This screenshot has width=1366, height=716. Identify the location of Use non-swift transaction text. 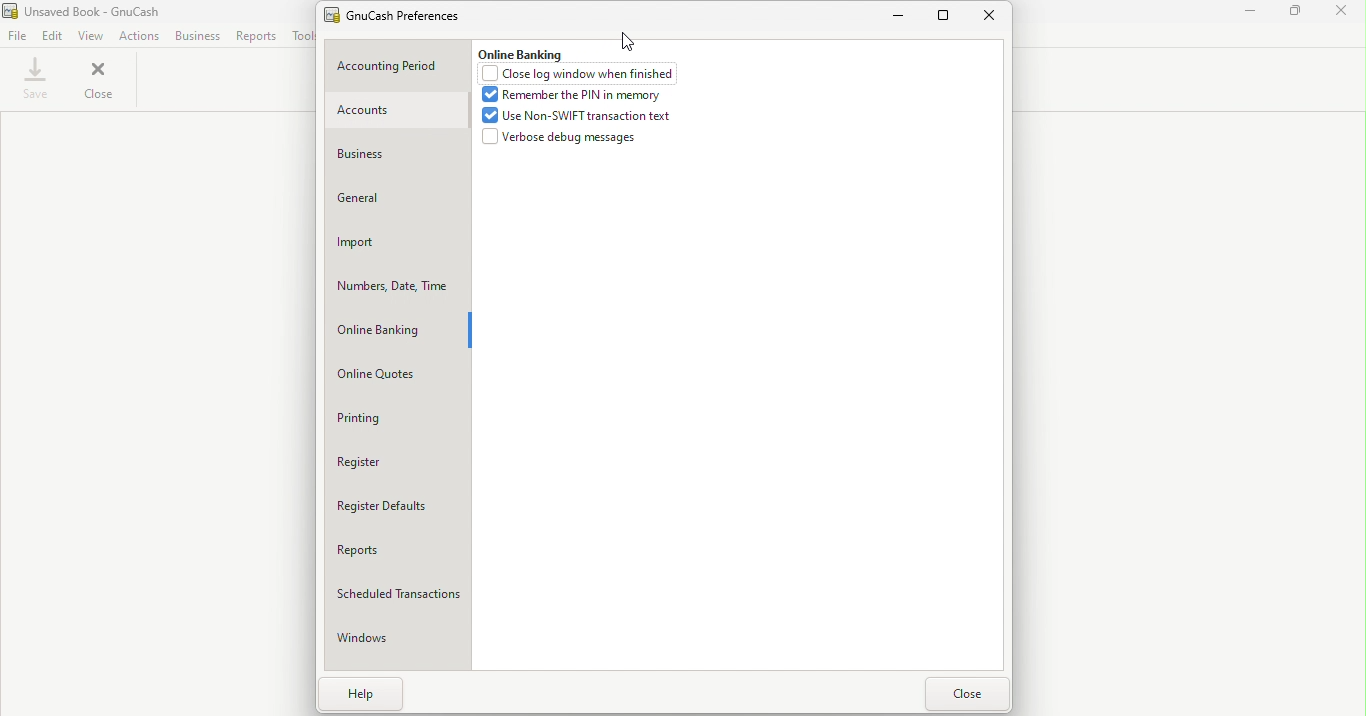
(580, 115).